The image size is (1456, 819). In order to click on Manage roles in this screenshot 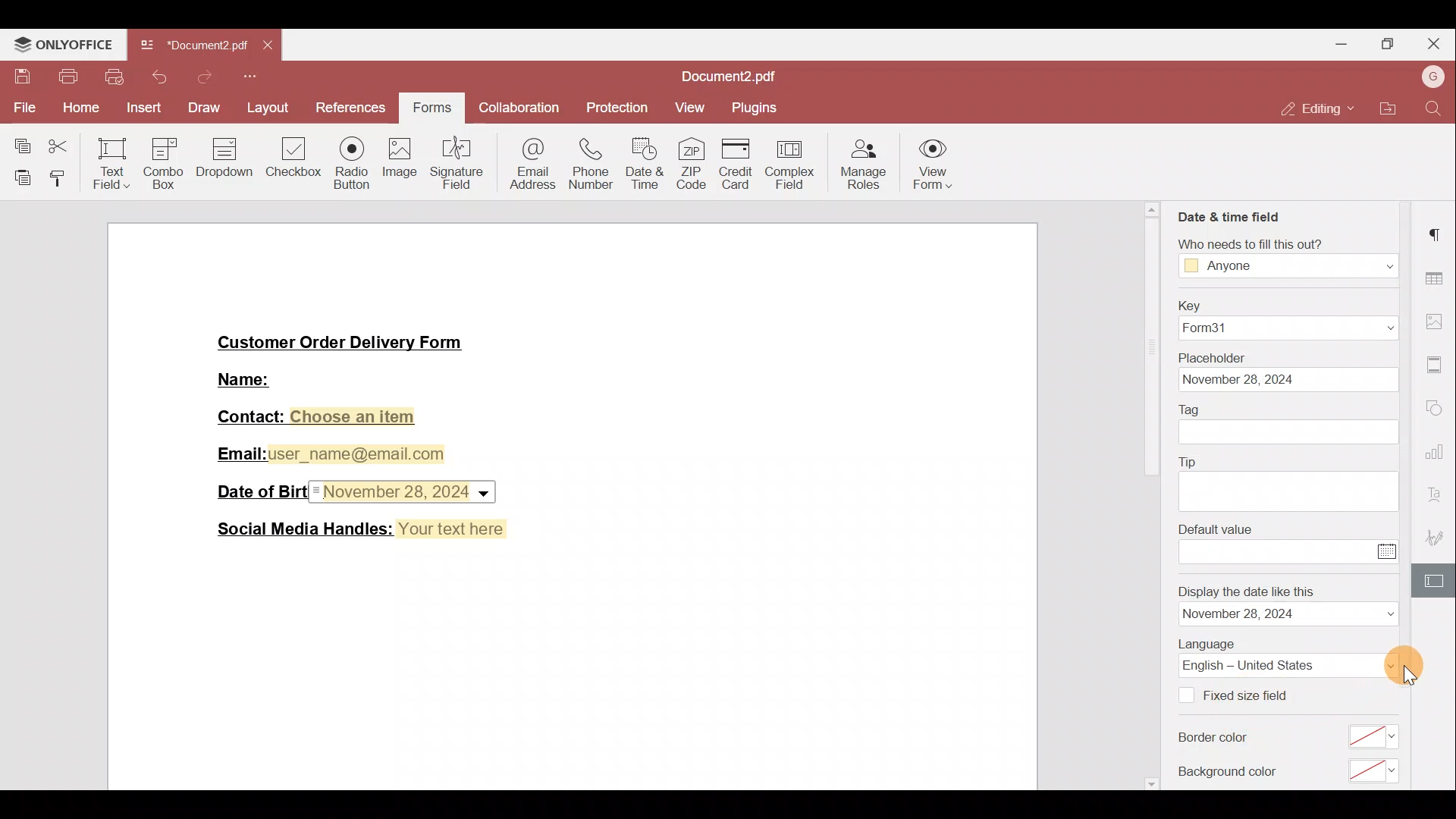, I will do `click(864, 167)`.